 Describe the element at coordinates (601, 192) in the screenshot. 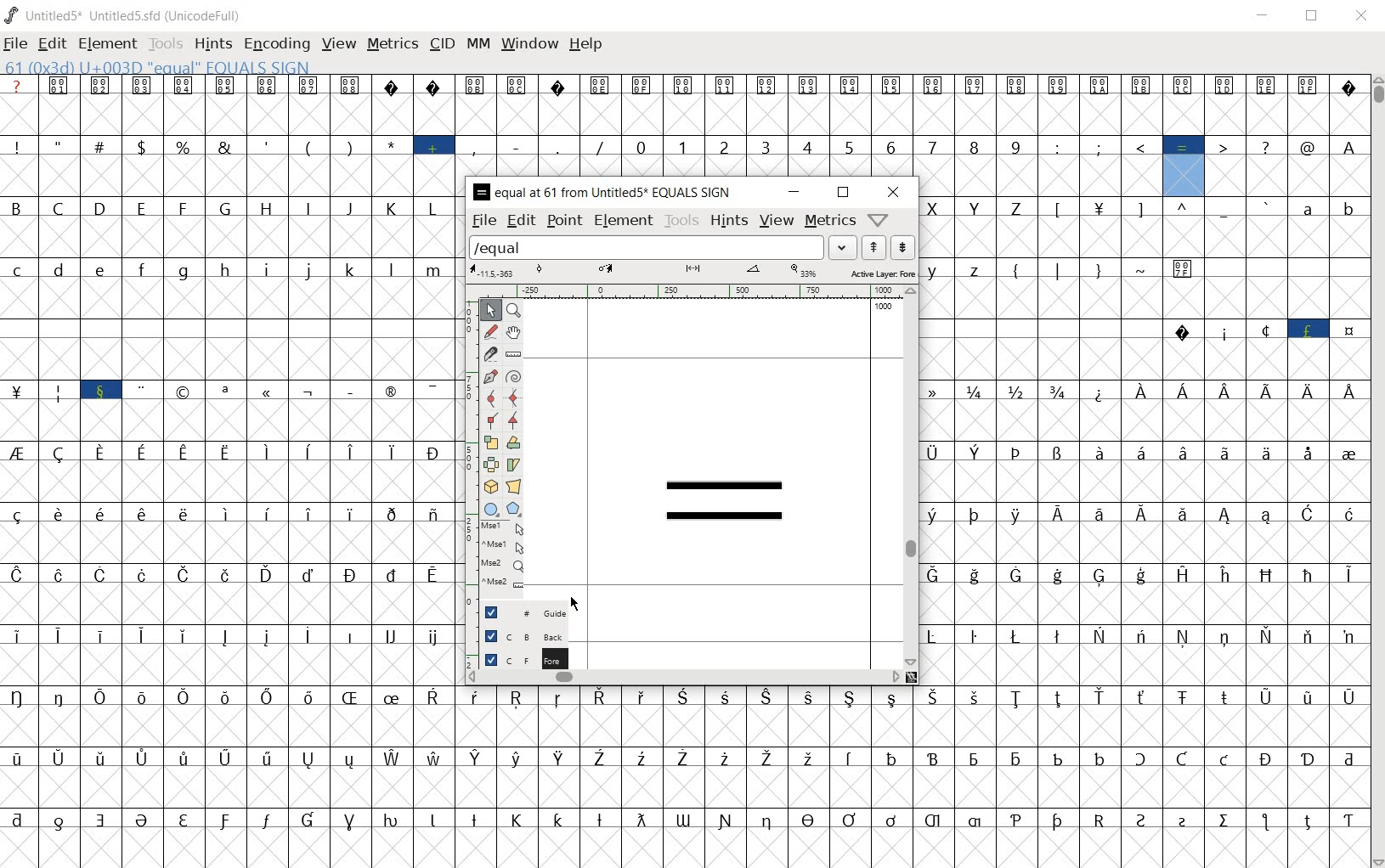

I see `EQUAL AT 61 FROM UNTITLED5 EQUAL SIGN` at that location.